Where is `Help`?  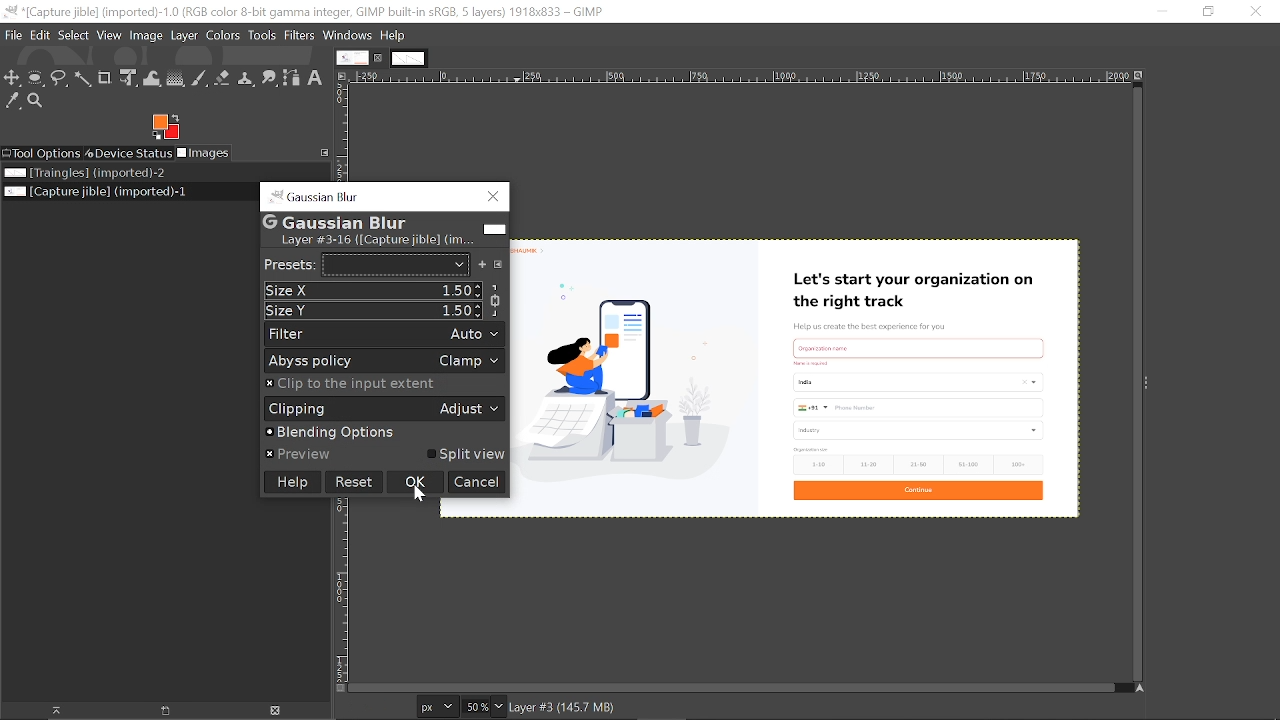
Help is located at coordinates (394, 35).